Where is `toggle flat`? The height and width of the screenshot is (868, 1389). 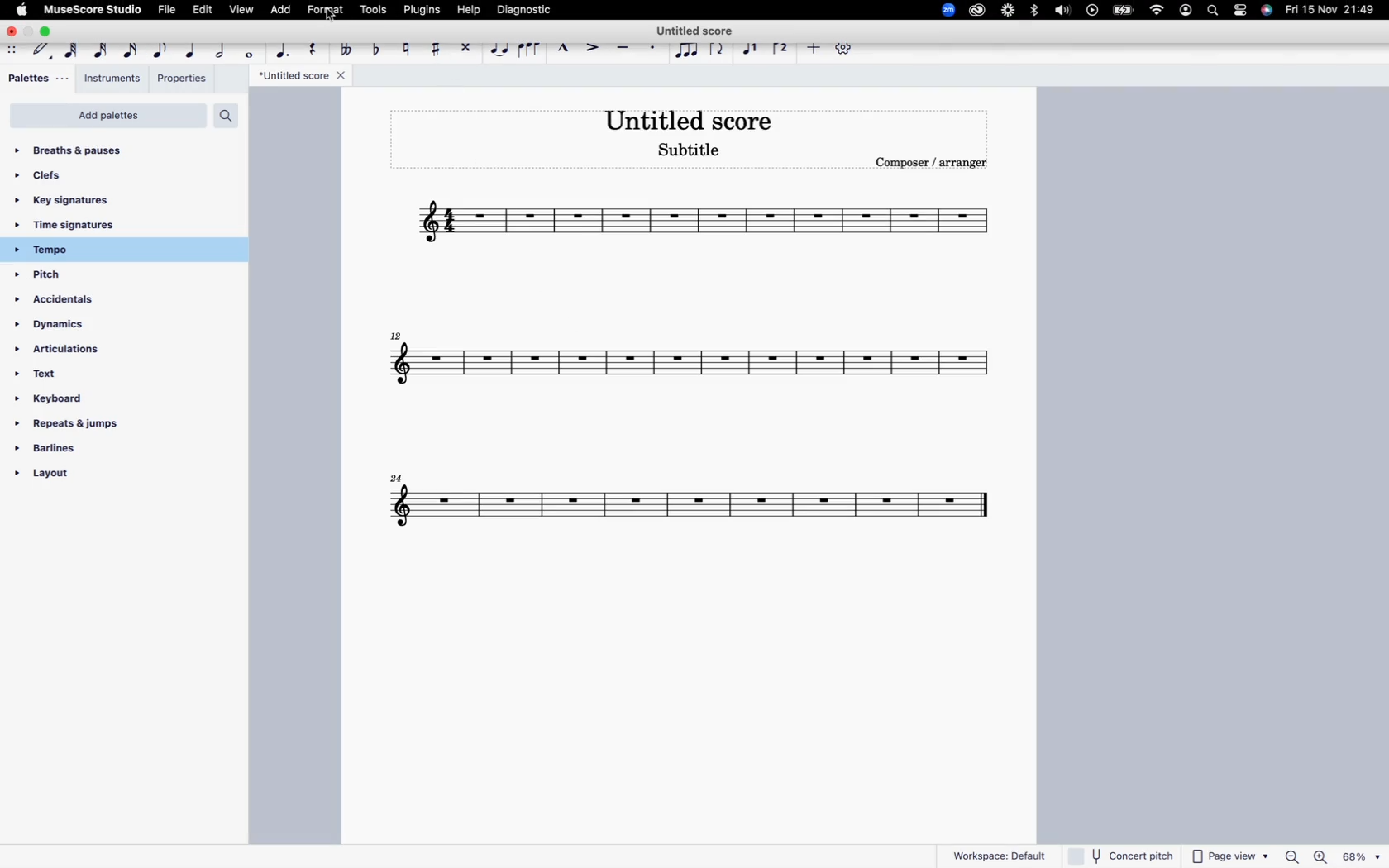
toggle flat is located at coordinates (379, 50).